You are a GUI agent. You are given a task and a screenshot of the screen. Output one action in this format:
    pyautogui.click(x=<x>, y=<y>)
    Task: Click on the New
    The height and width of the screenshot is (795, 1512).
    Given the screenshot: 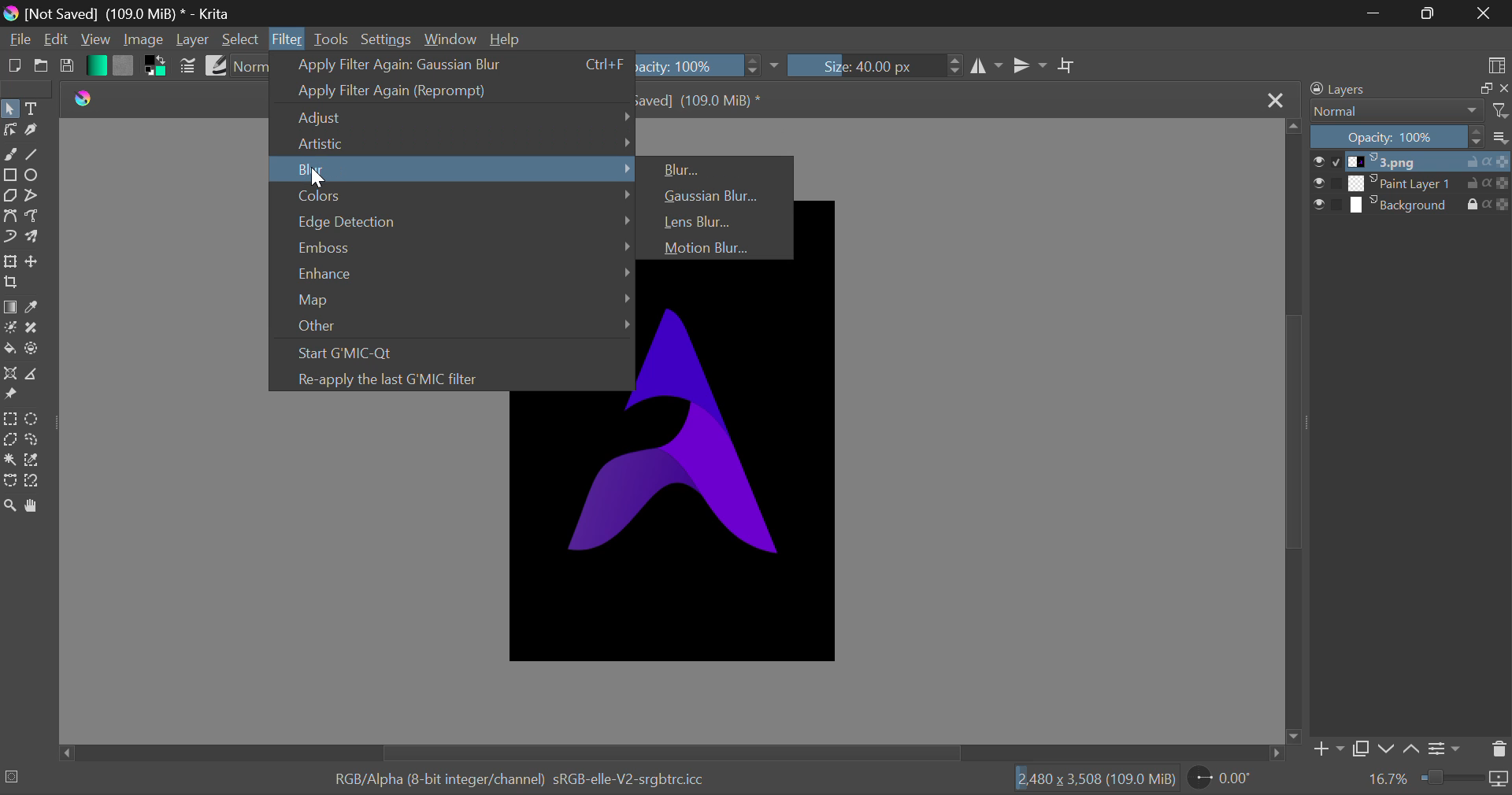 What is the action you would take?
    pyautogui.click(x=13, y=67)
    